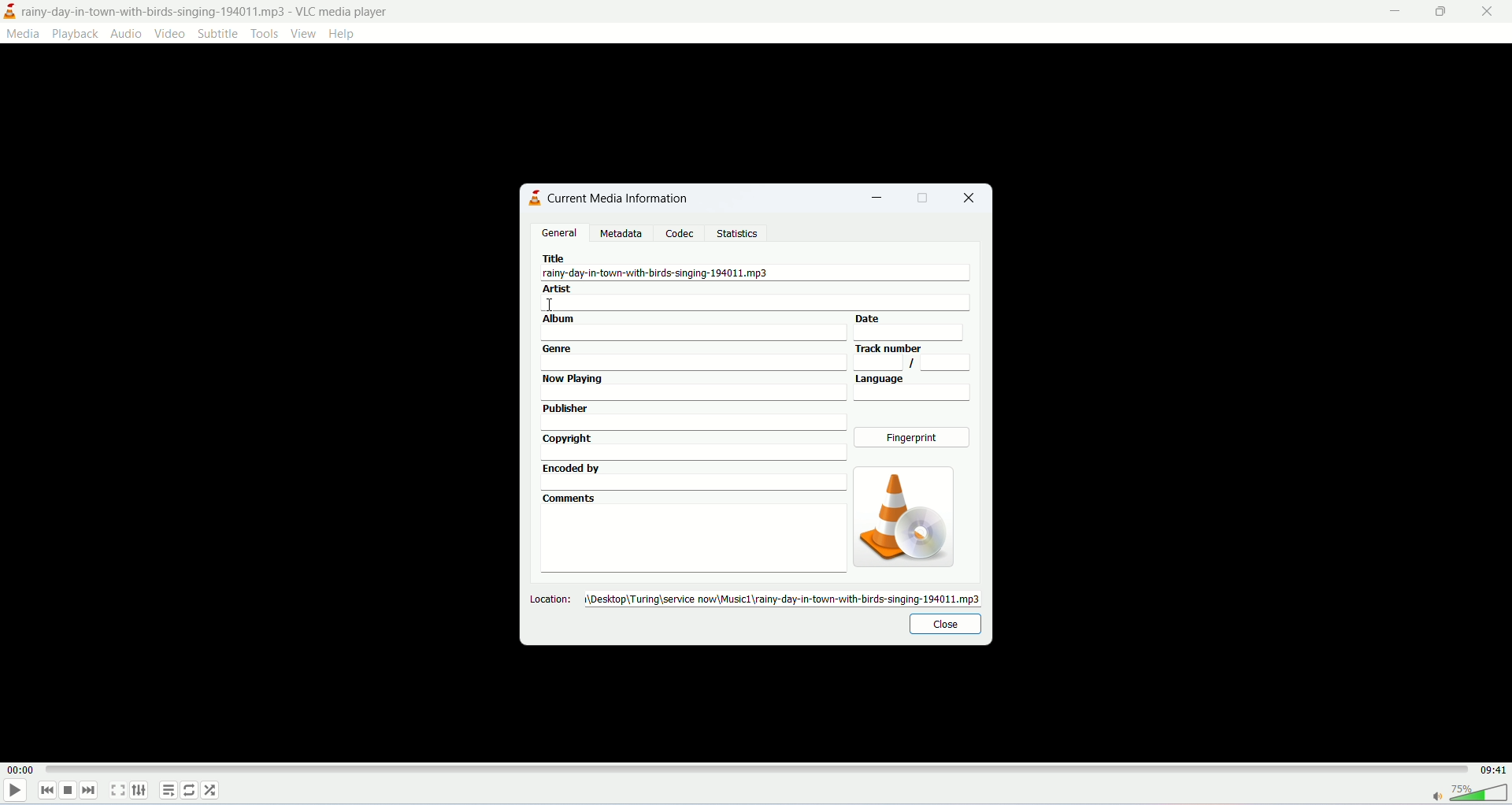  Describe the element at coordinates (694, 388) in the screenshot. I see `now playing` at that location.